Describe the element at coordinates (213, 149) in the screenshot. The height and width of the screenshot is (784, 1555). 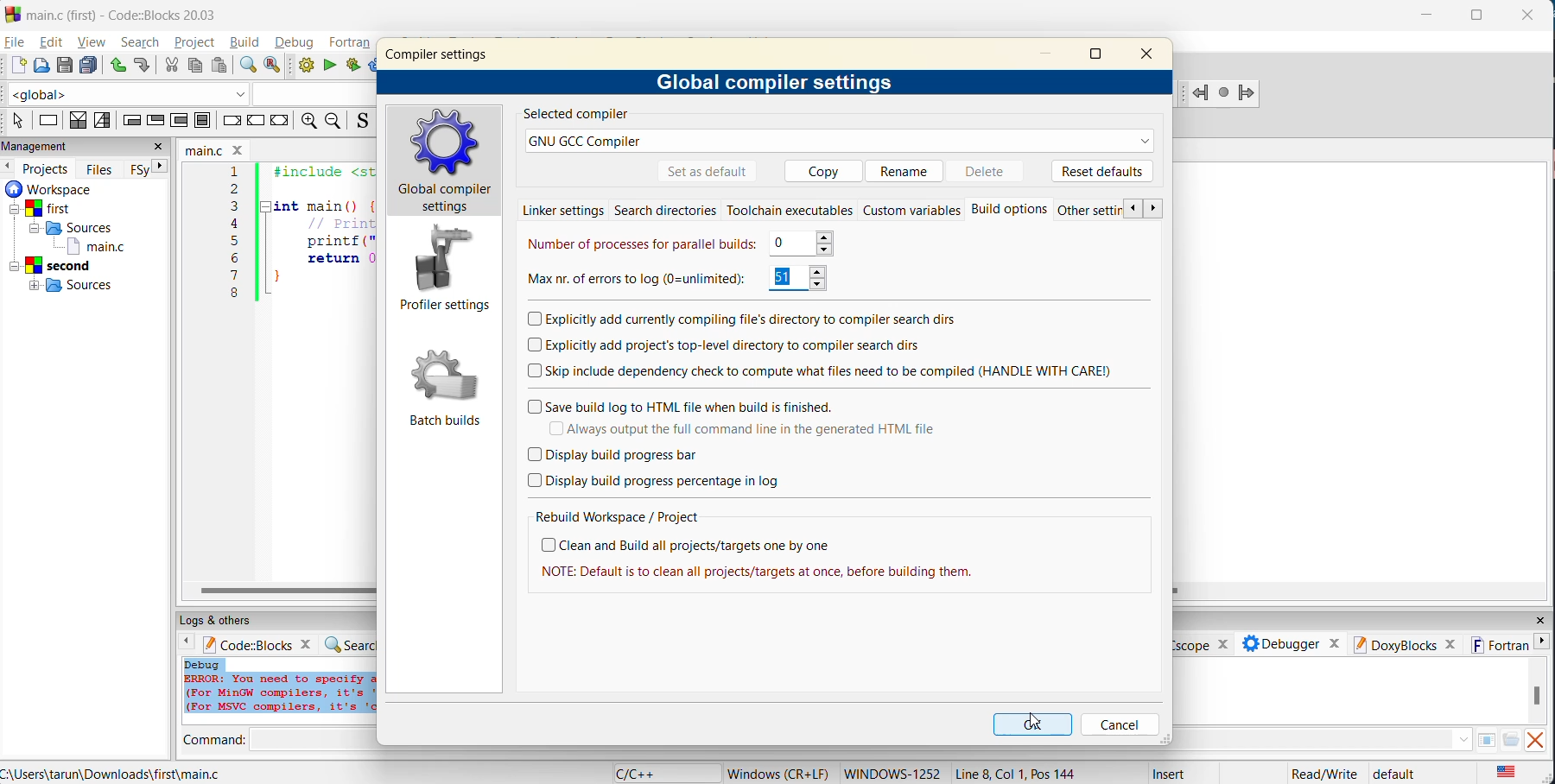
I see `filename` at that location.